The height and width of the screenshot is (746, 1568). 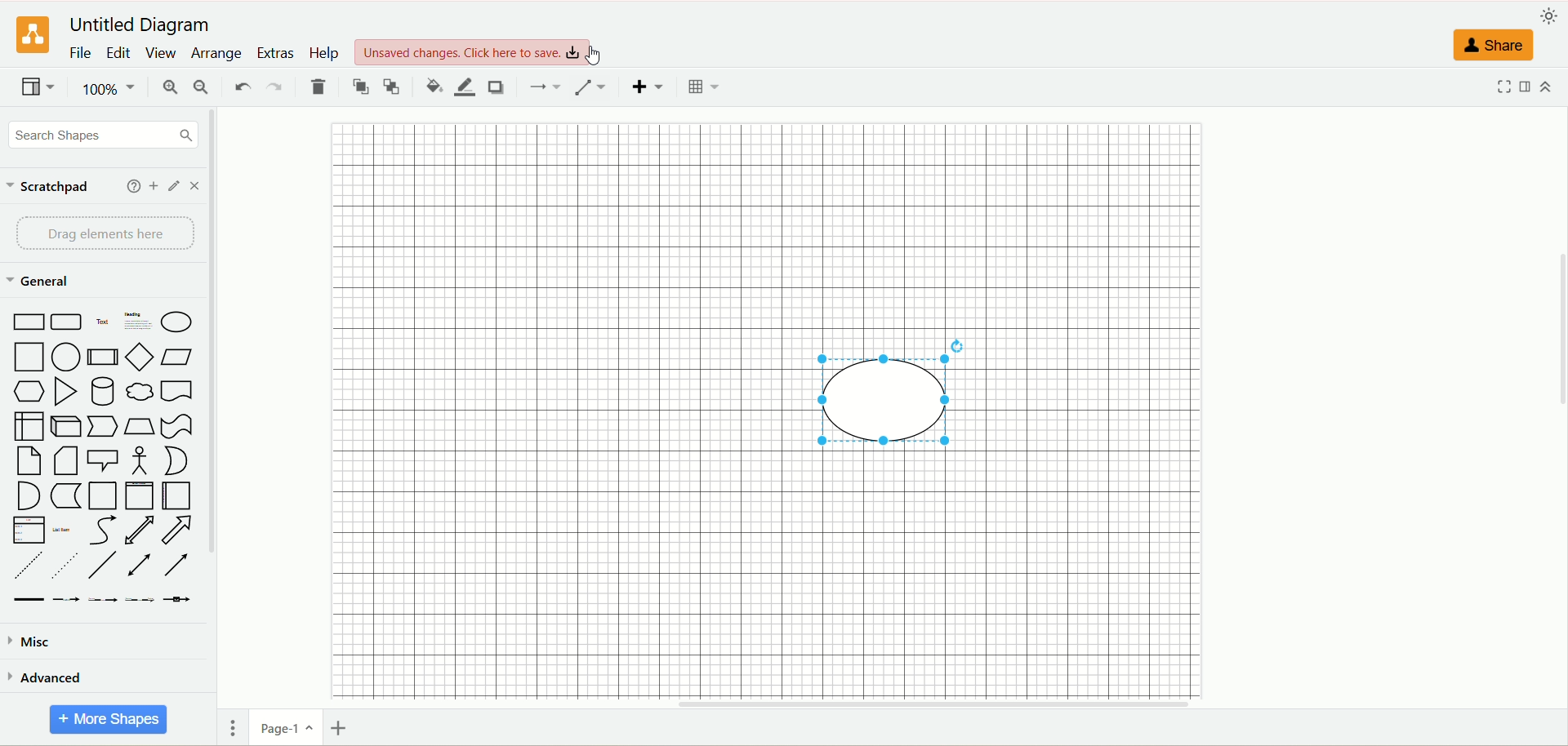 What do you see at coordinates (590, 87) in the screenshot?
I see `waypoints` at bounding box center [590, 87].